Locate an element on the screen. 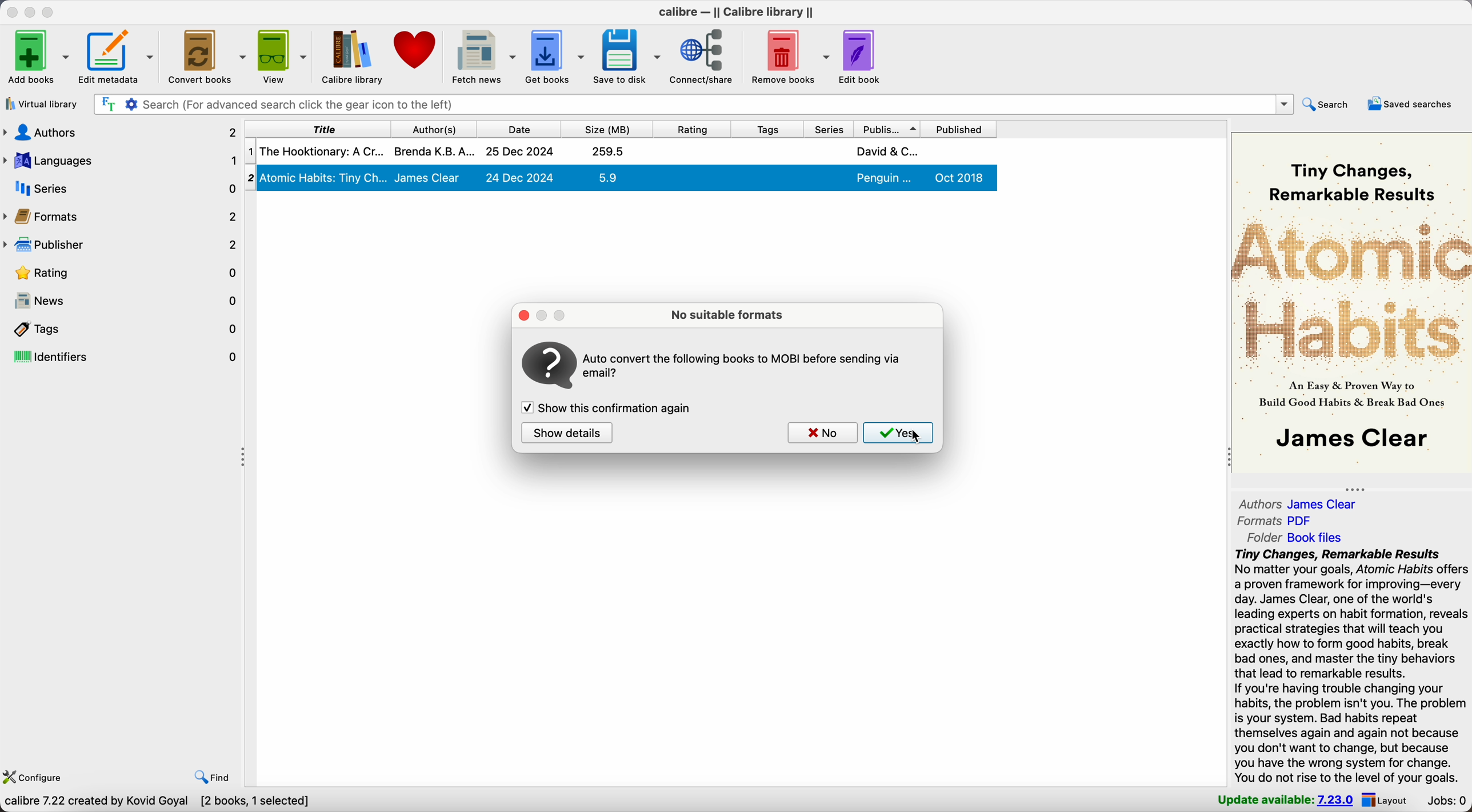  save to disk is located at coordinates (627, 58).